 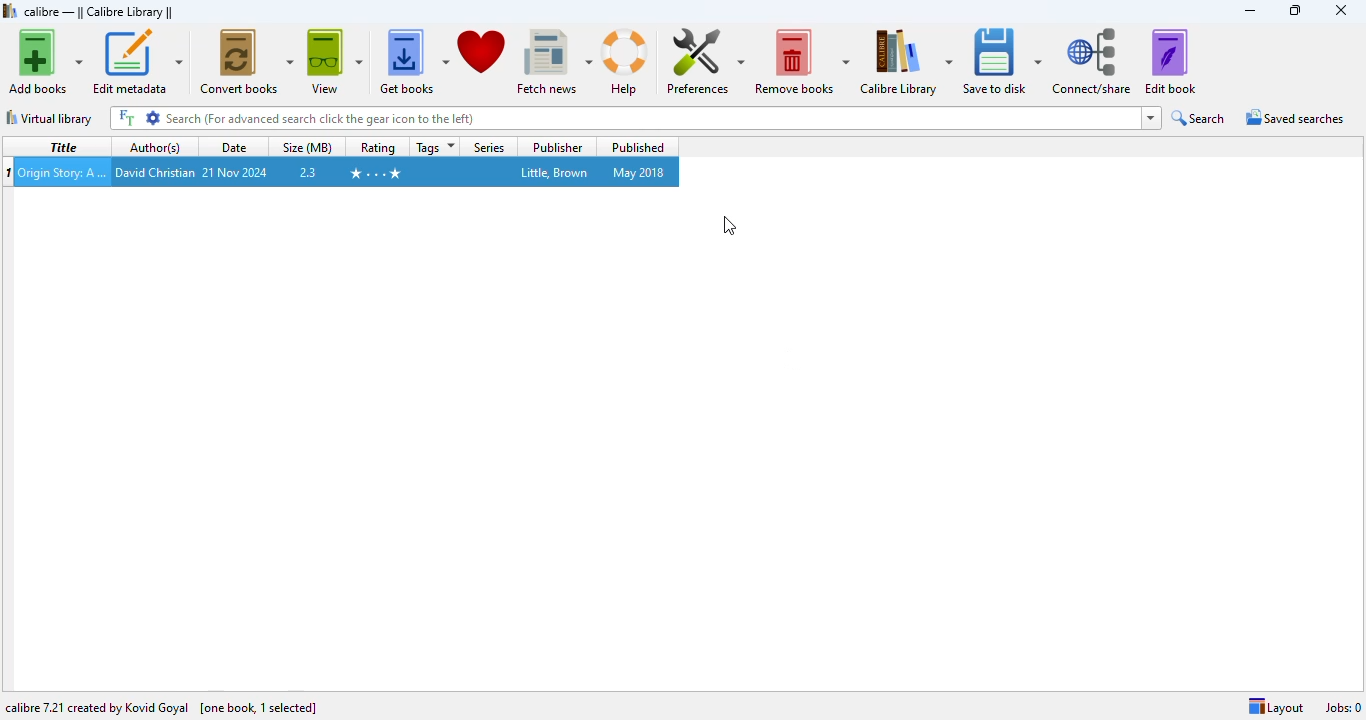 I want to click on help, so click(x=626, y=62).